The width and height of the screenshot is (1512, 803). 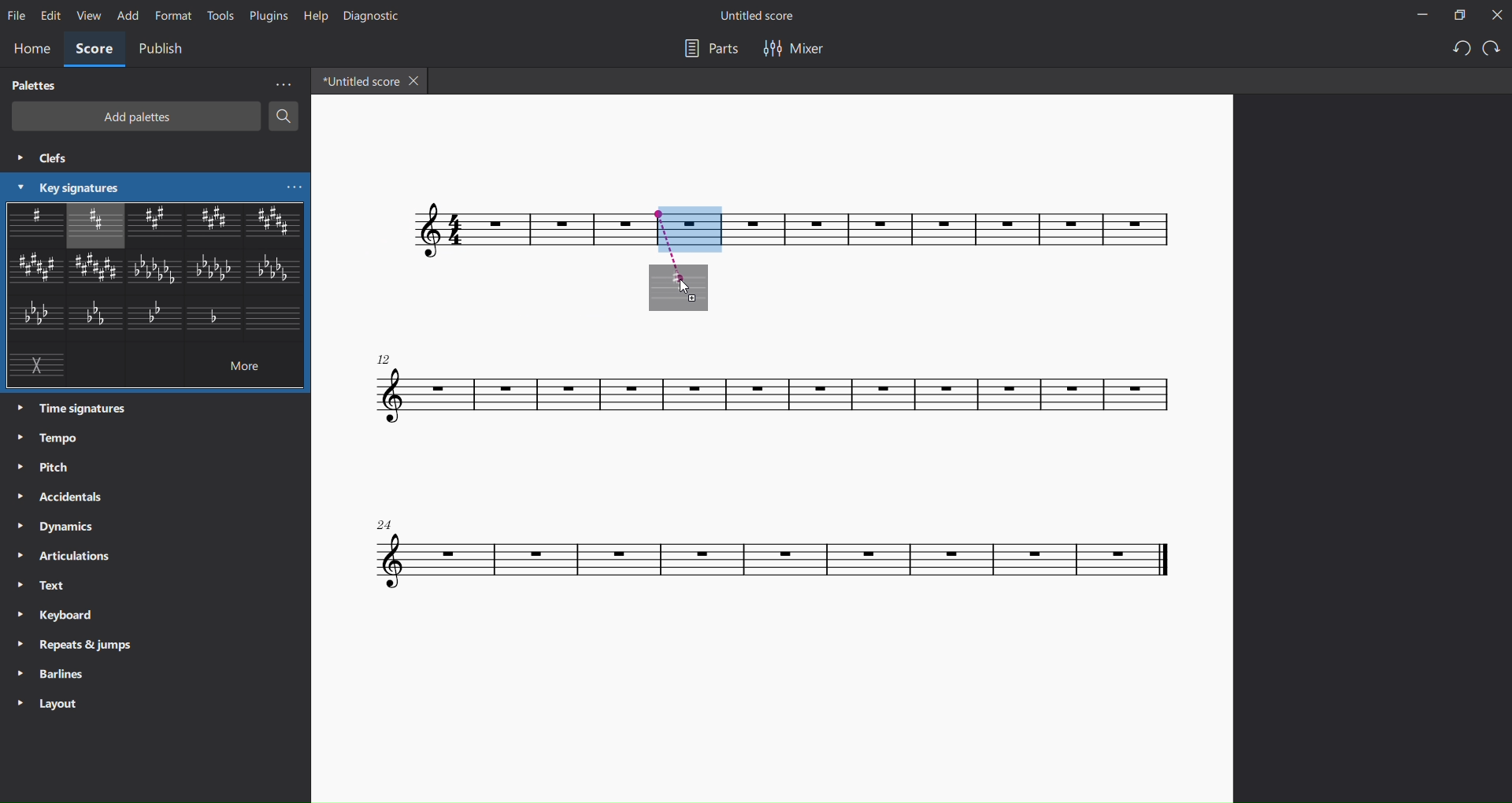 I want to click on close, so click(x=1495, y=14).